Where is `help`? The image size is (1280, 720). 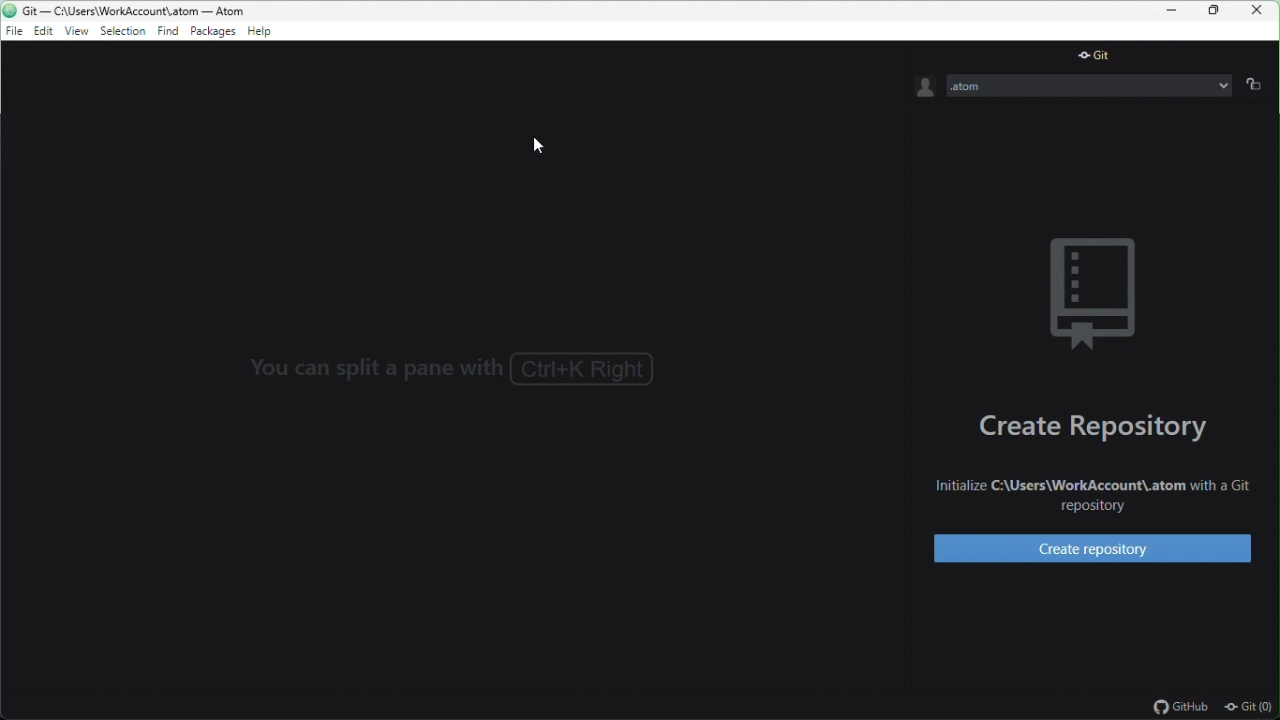
help is located at coordinates (260, 32).